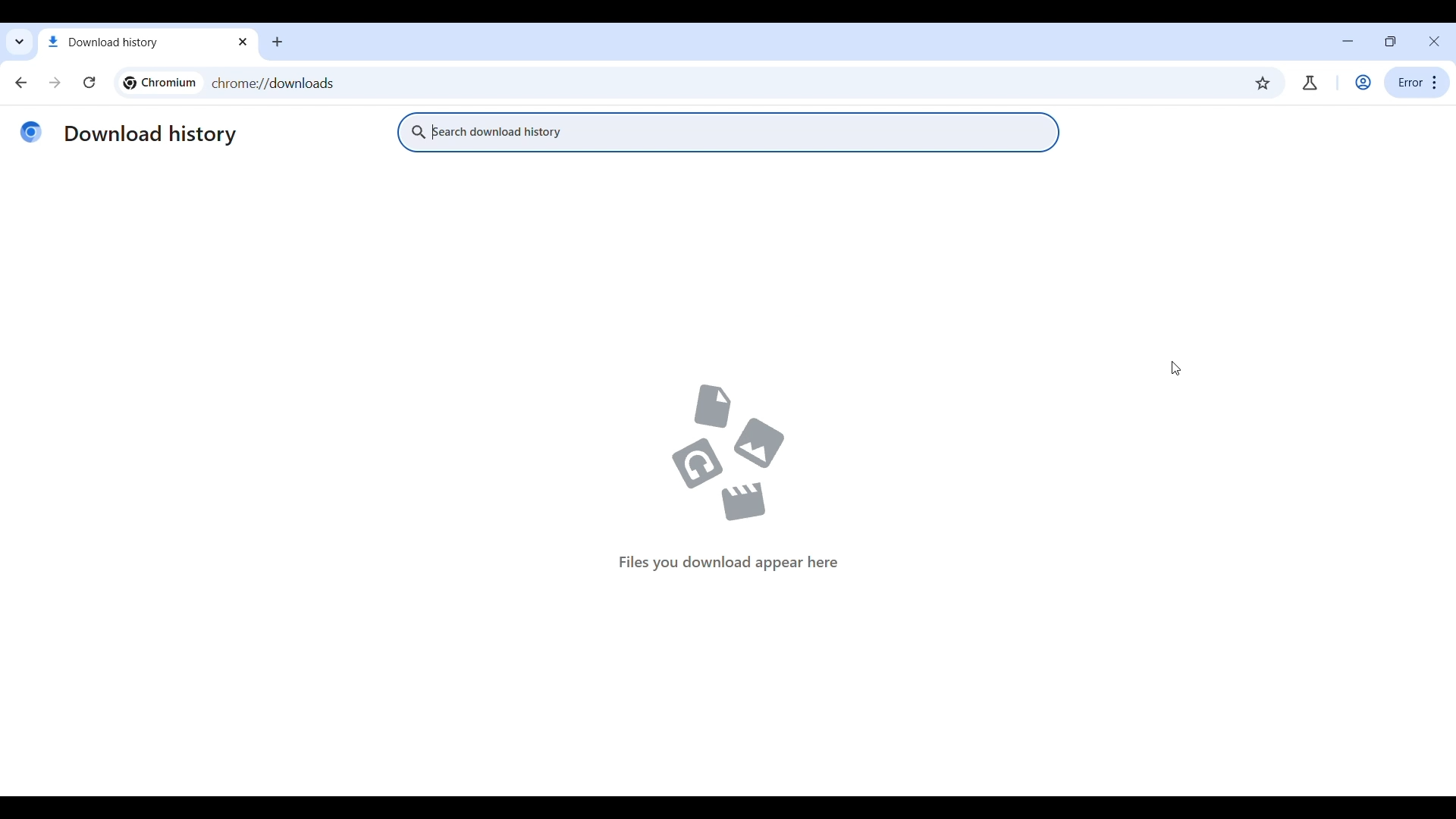 The width and height of the screenshot is (1456, 819). Describe the element at coordinates (1434, 42) in the screenshot. I see `Close ` at that location.